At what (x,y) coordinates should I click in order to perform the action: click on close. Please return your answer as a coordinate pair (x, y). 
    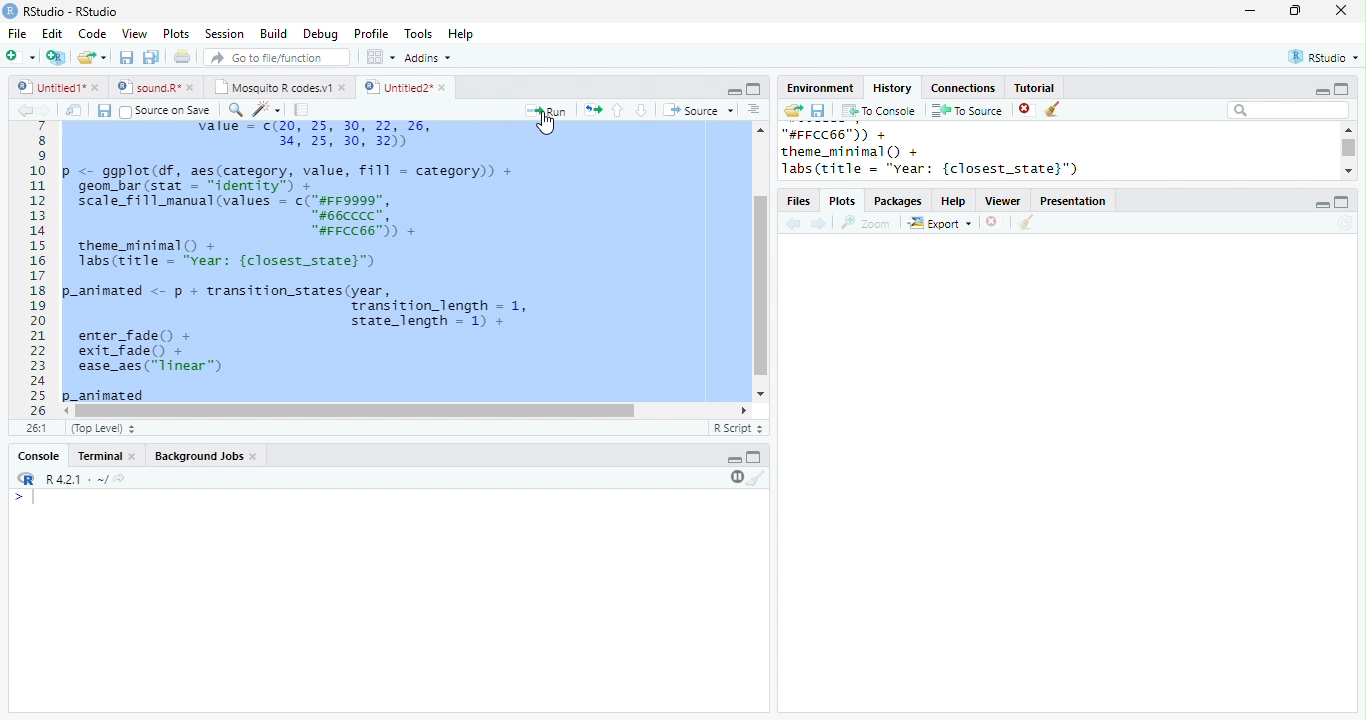
    Looking at the image, I should click on (344, 89).